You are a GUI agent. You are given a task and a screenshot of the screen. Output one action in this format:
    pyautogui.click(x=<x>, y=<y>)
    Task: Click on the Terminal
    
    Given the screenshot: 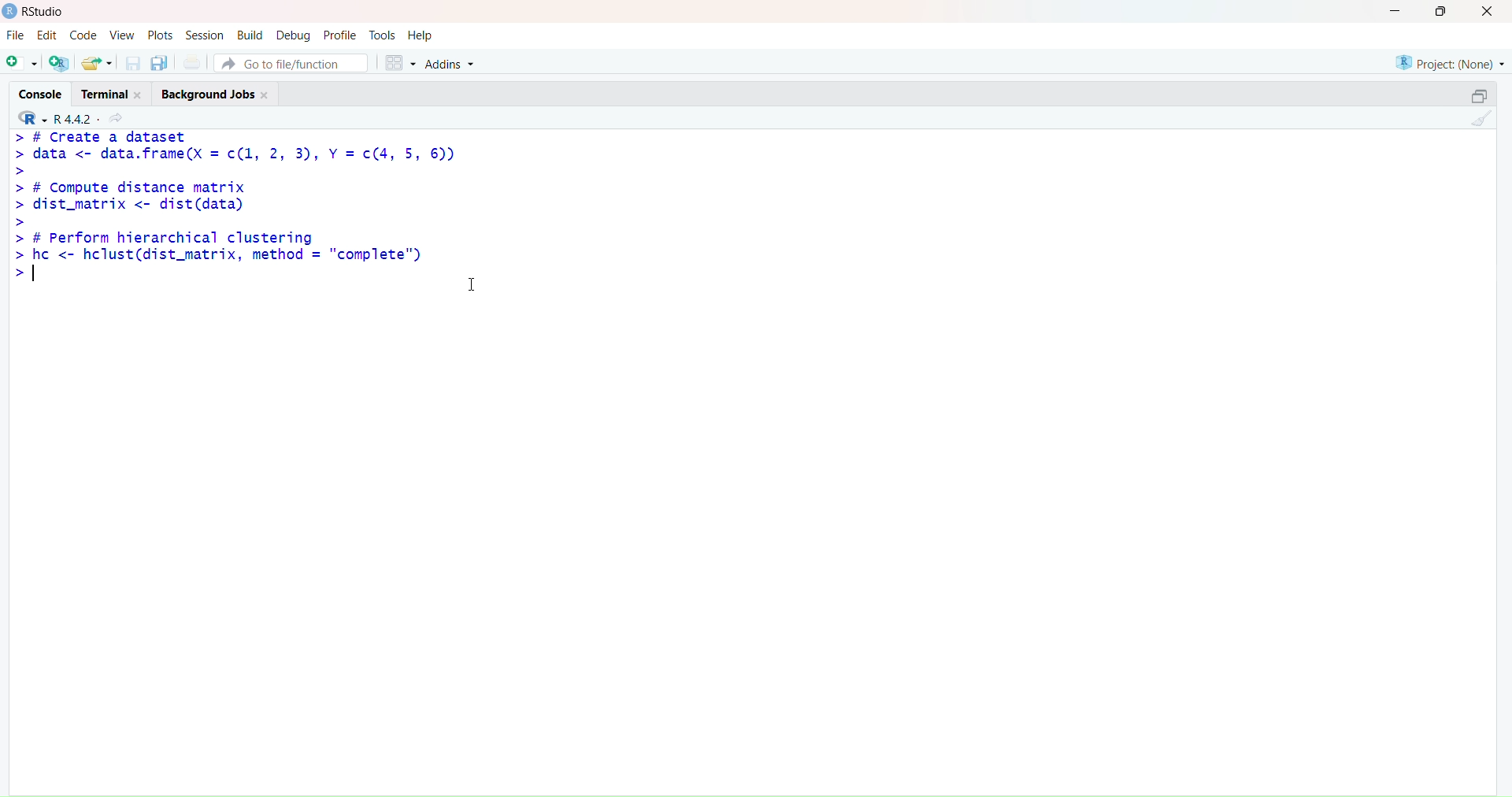 What is the action you would take?
    pyautogui.click(x=109, y=94)
    